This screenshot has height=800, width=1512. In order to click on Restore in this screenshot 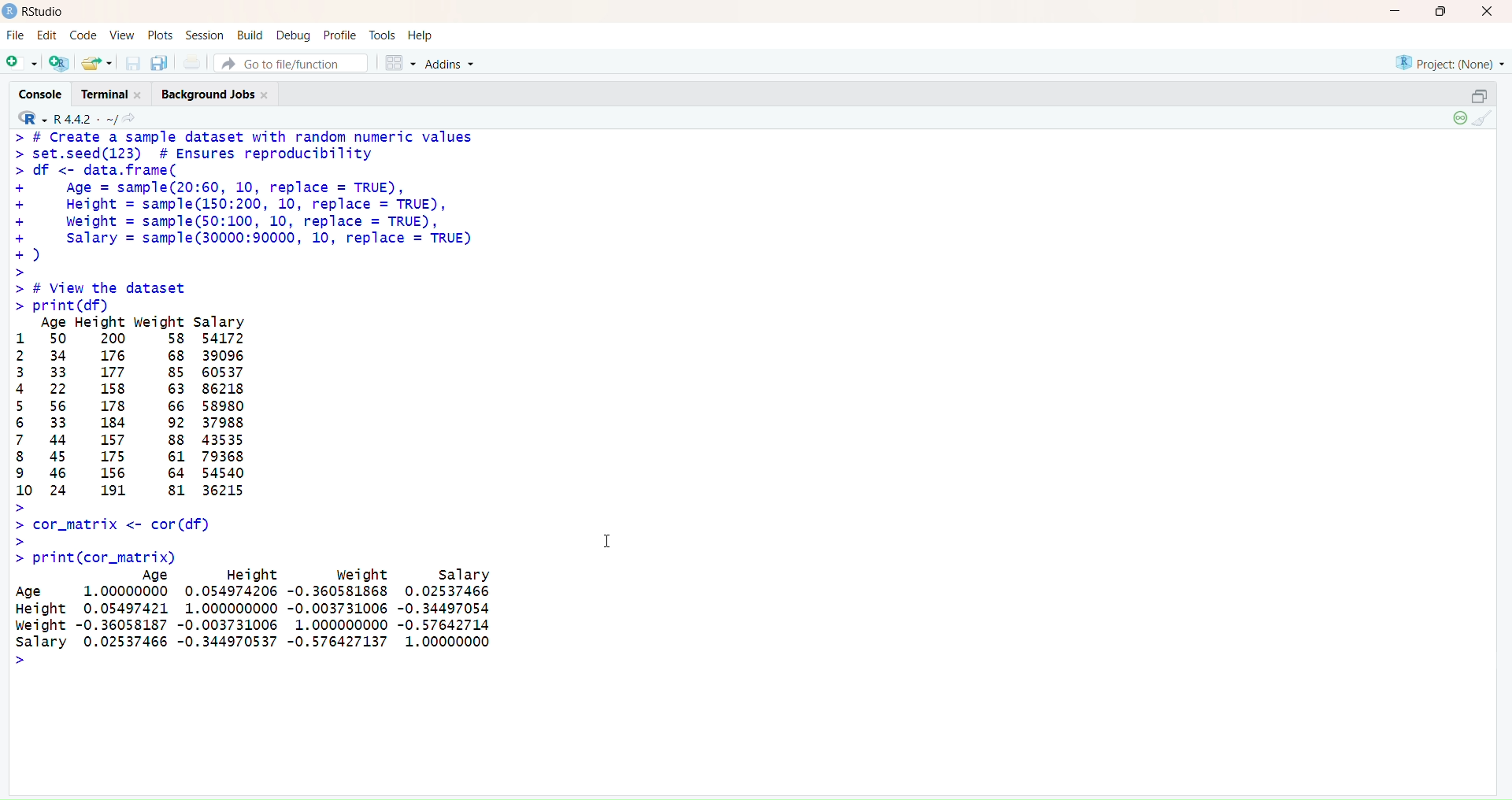, I will do `click(1479, 96)`.